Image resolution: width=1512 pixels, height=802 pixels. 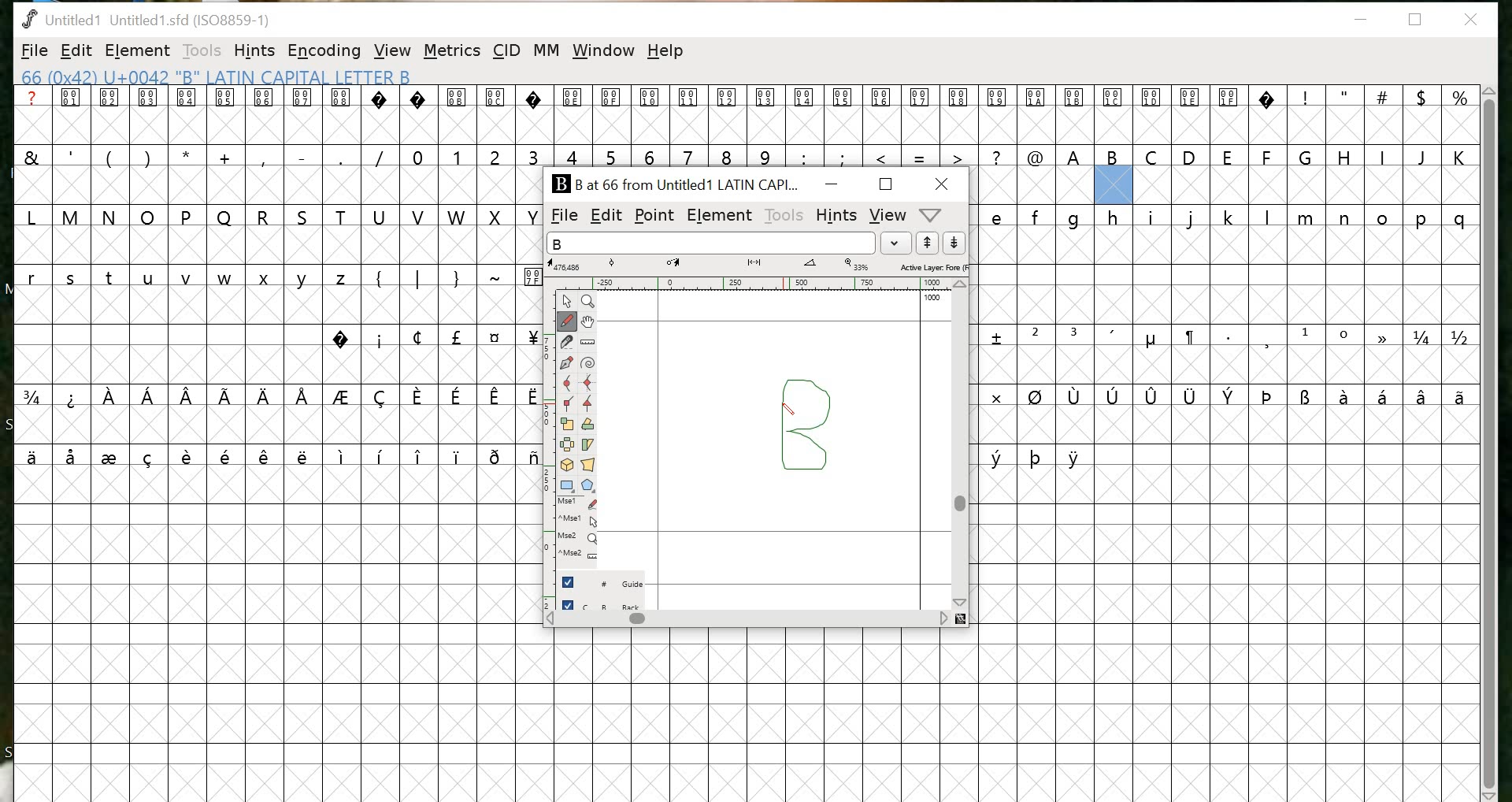 What do you see at coordinates (760, 265) in the screenshot?
I see `measurements` at bounding box center [760, 265].